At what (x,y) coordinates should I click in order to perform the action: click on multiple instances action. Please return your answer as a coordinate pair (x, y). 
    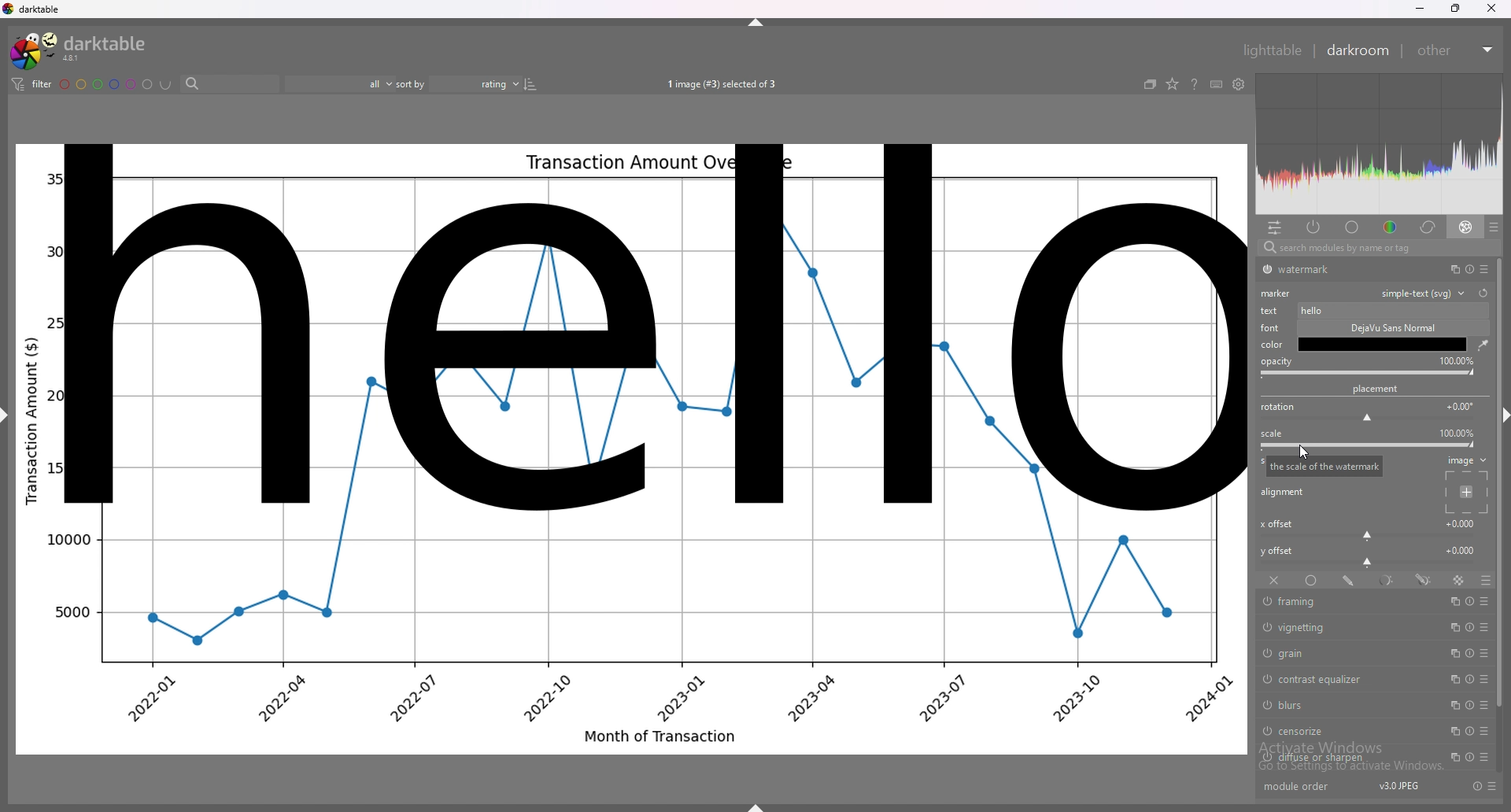
    Looking at the image, I should click on (1453, 705).